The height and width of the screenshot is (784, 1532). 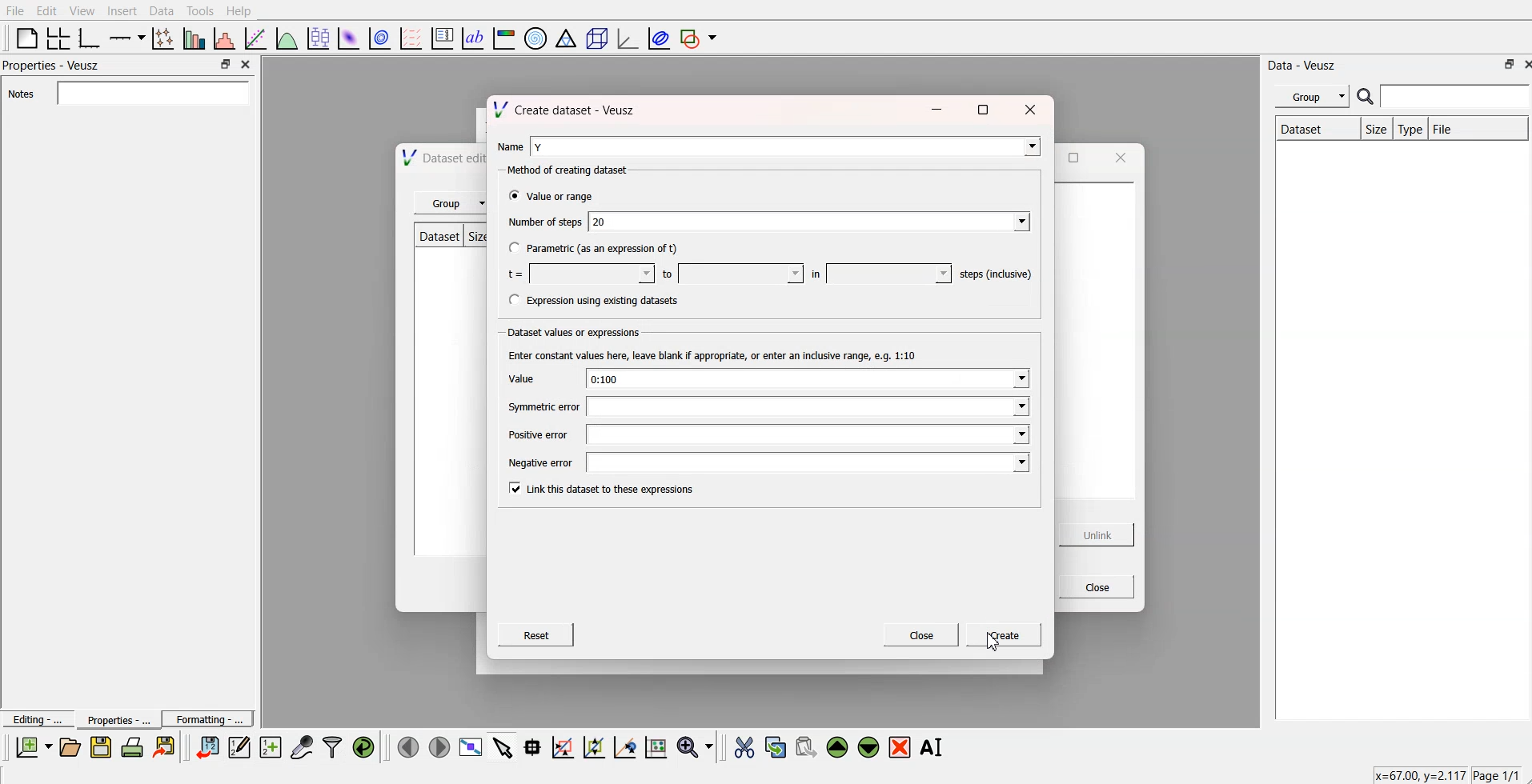 What do you see at coordinates (34, 747) in the screenshot?
I see `New document` at bounding box center [34, 747].